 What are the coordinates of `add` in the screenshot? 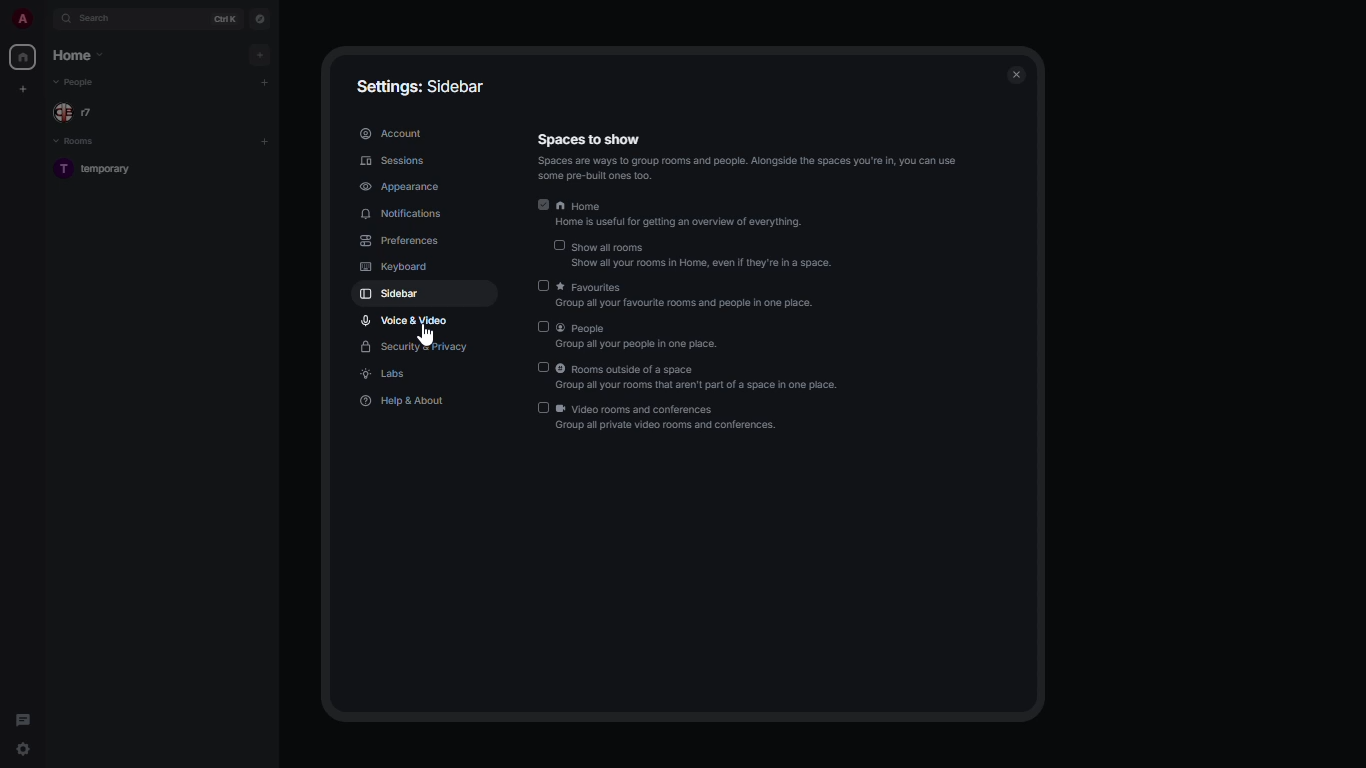 It's located at (265, 82).